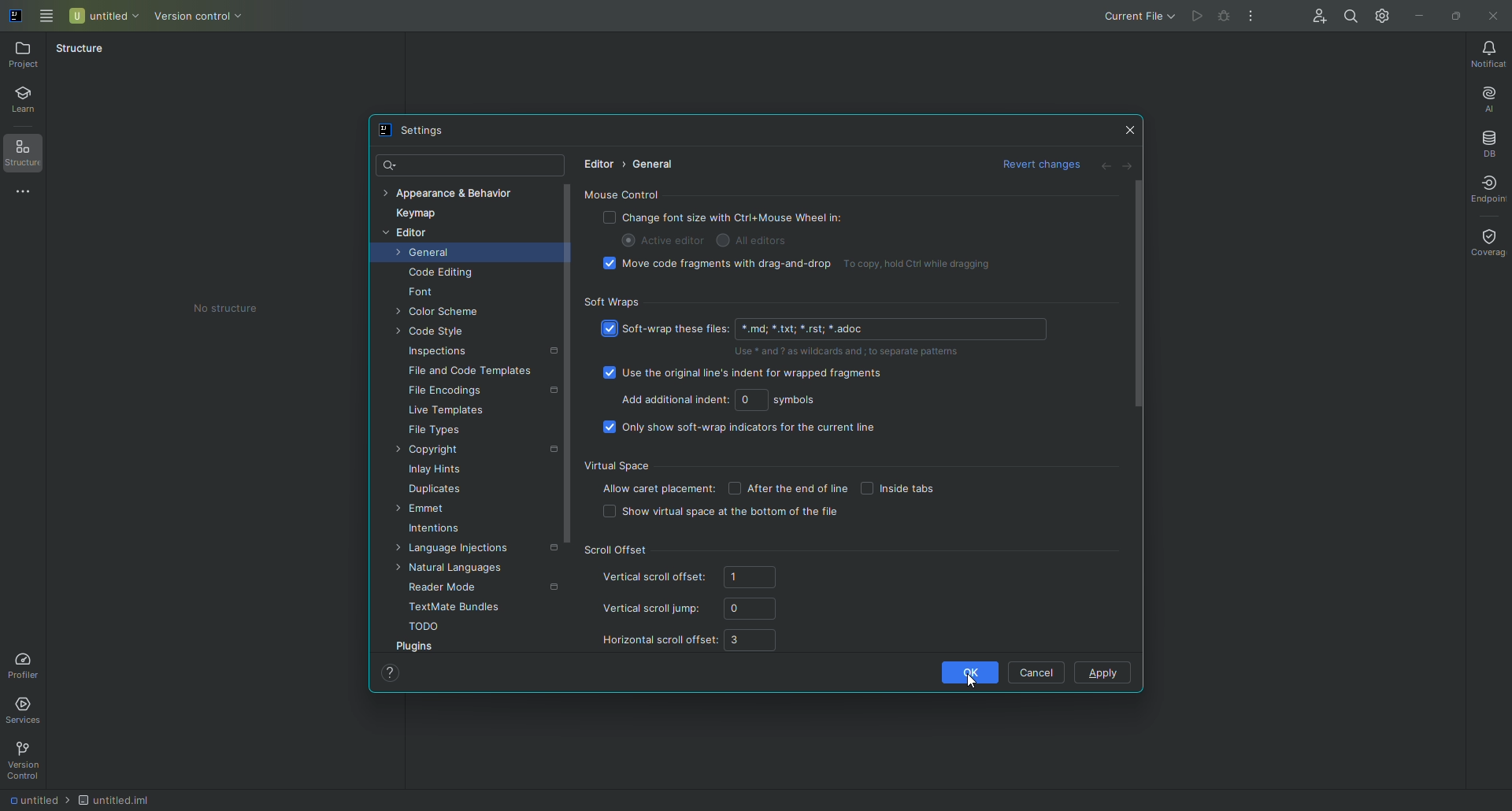  I want to click on Show virtual space at the bottom, so click(724, 515).